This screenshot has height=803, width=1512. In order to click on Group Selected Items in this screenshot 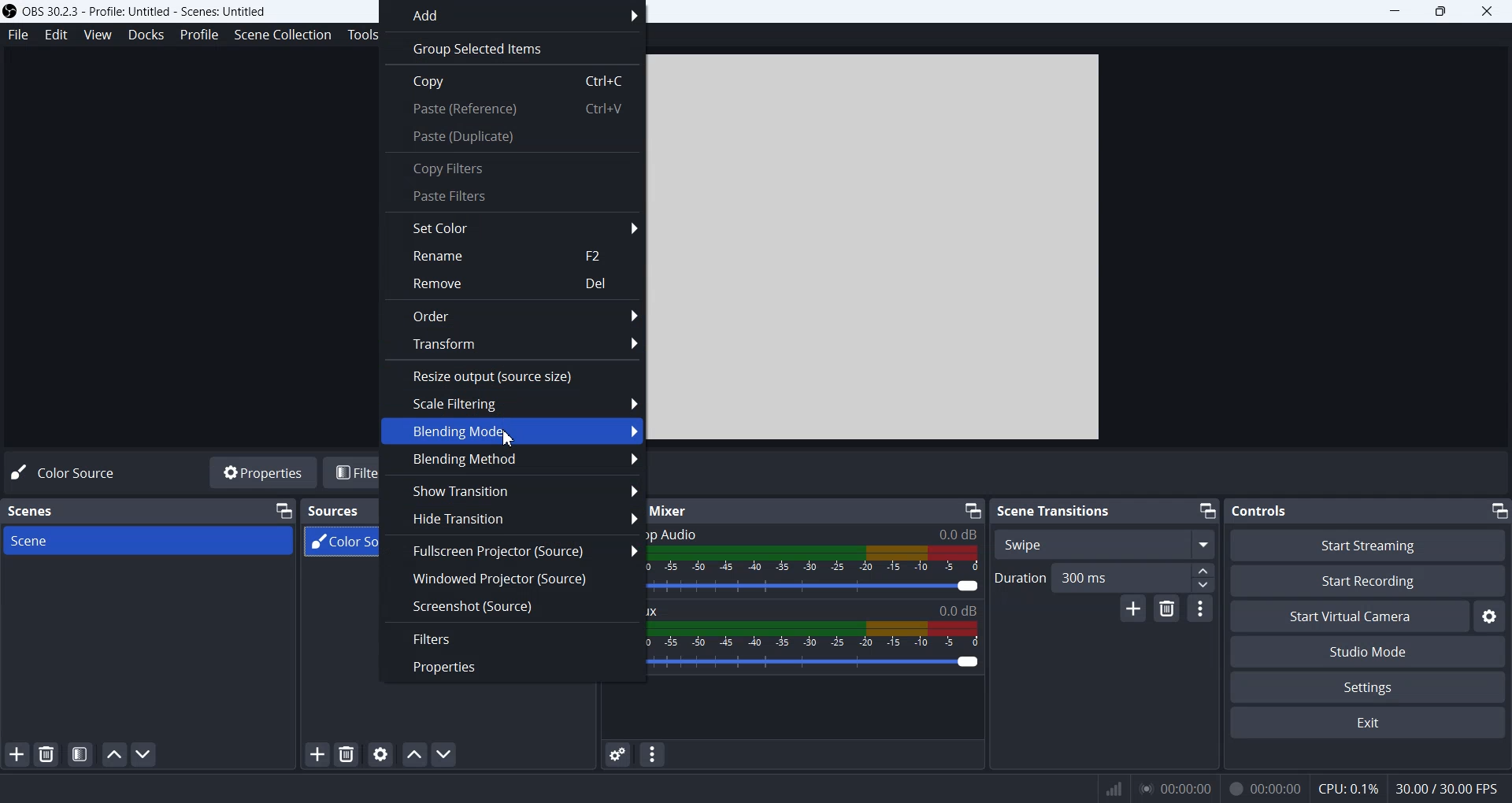, I will do `click(512, 47)`.